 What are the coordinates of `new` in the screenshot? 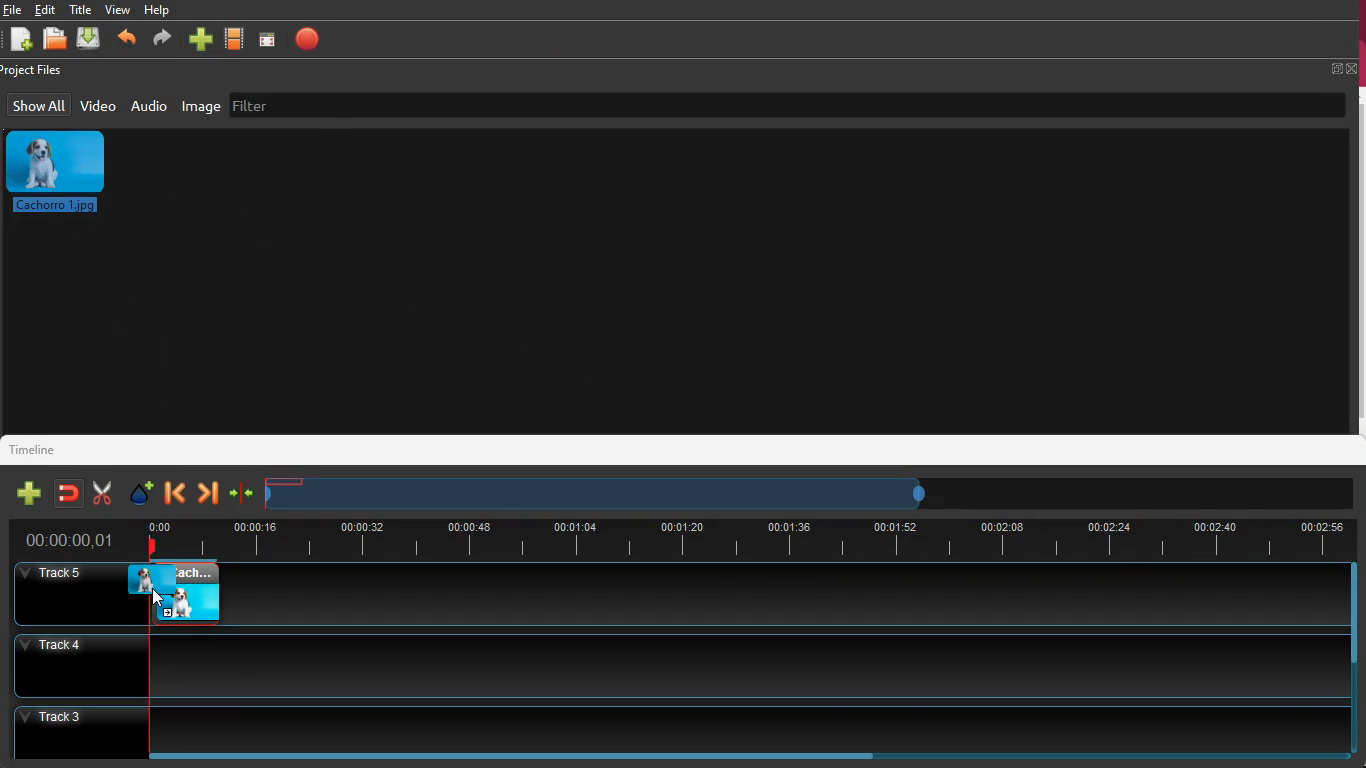 It's located at (20, 40).